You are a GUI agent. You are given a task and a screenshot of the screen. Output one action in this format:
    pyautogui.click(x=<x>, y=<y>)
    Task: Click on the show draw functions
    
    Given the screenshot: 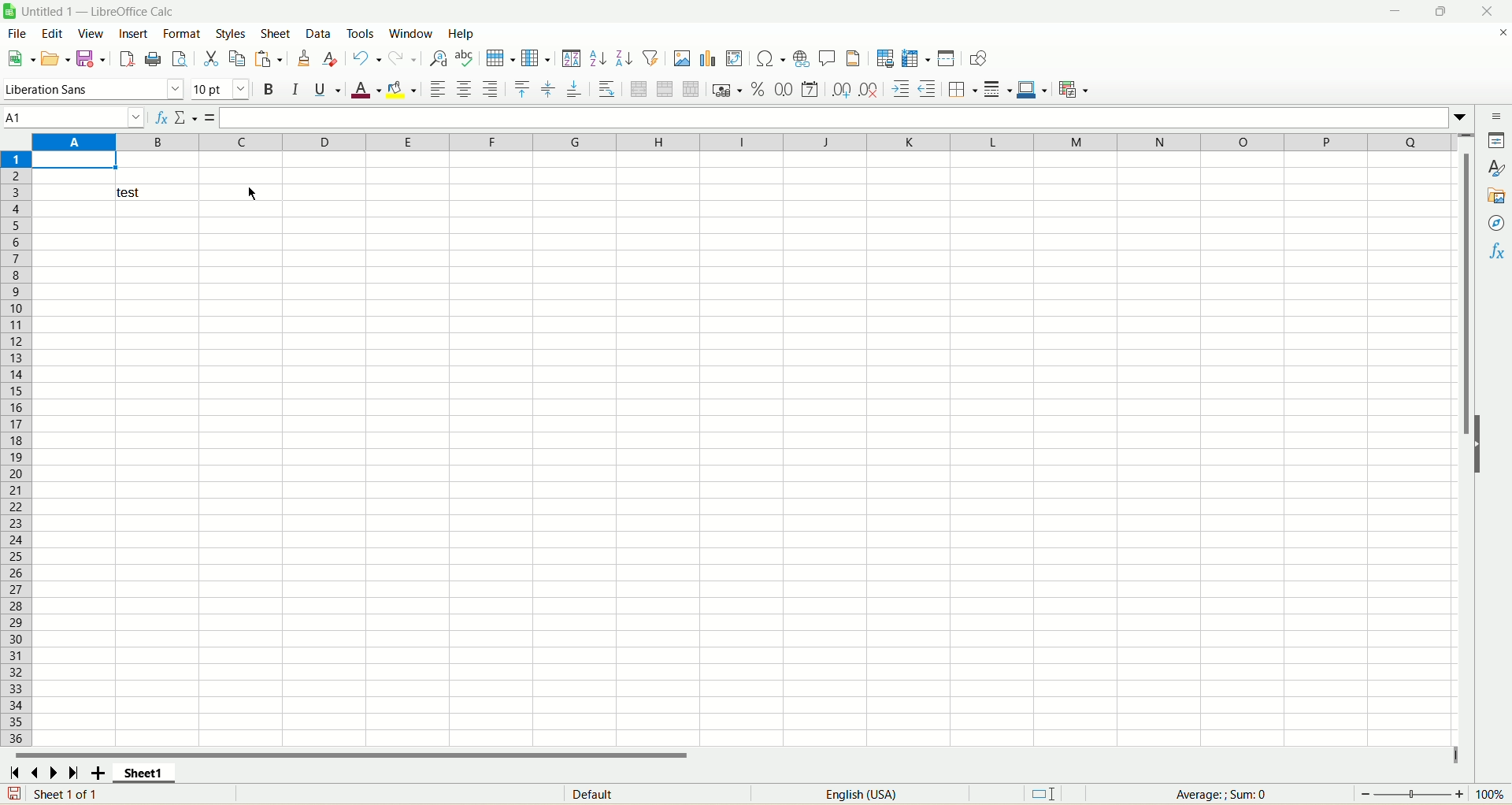 What is the action you would take?
    pyautogui.click(x=978, y=58)
    